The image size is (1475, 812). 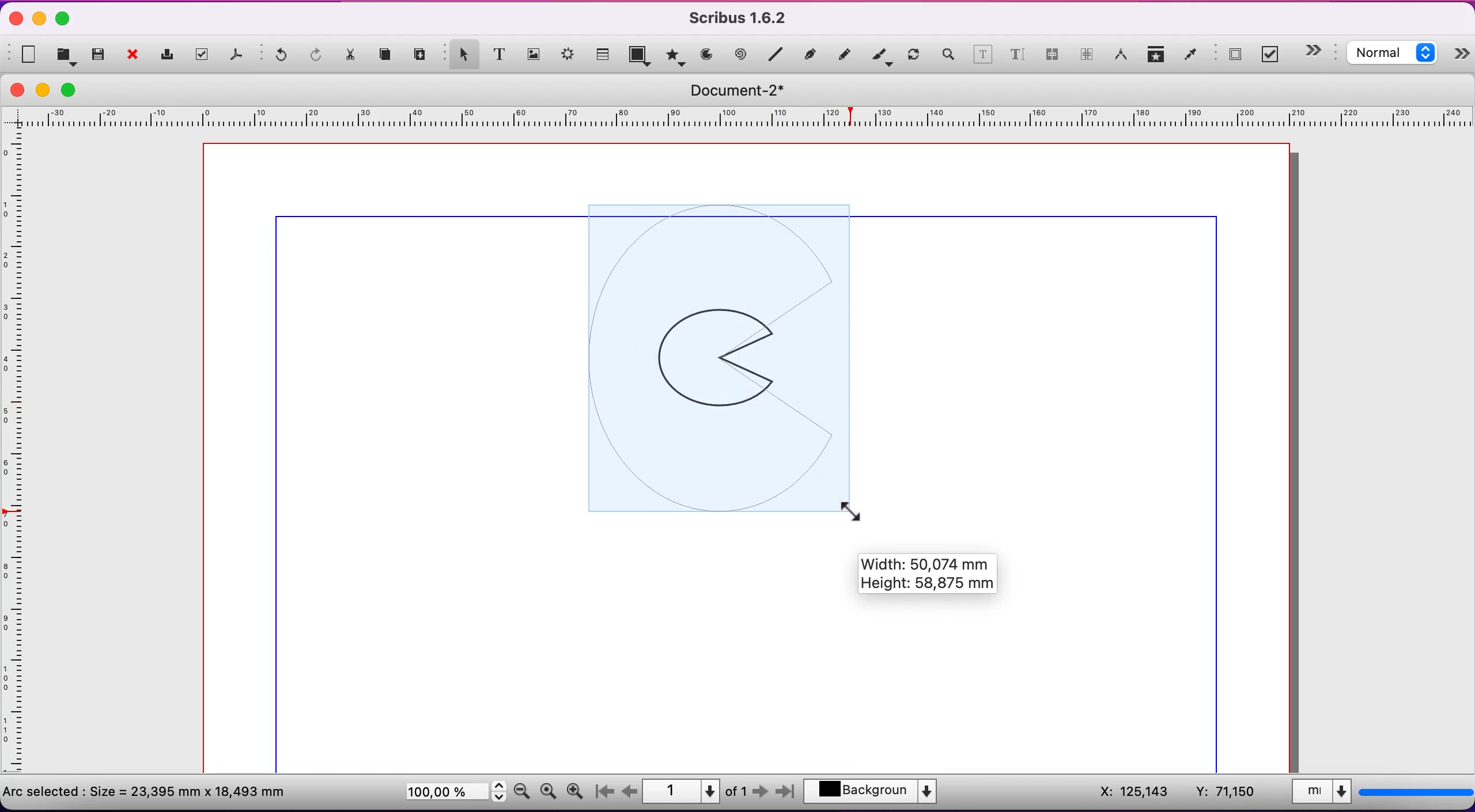 I want to click on go to the last page, so click(x=784, y=794).